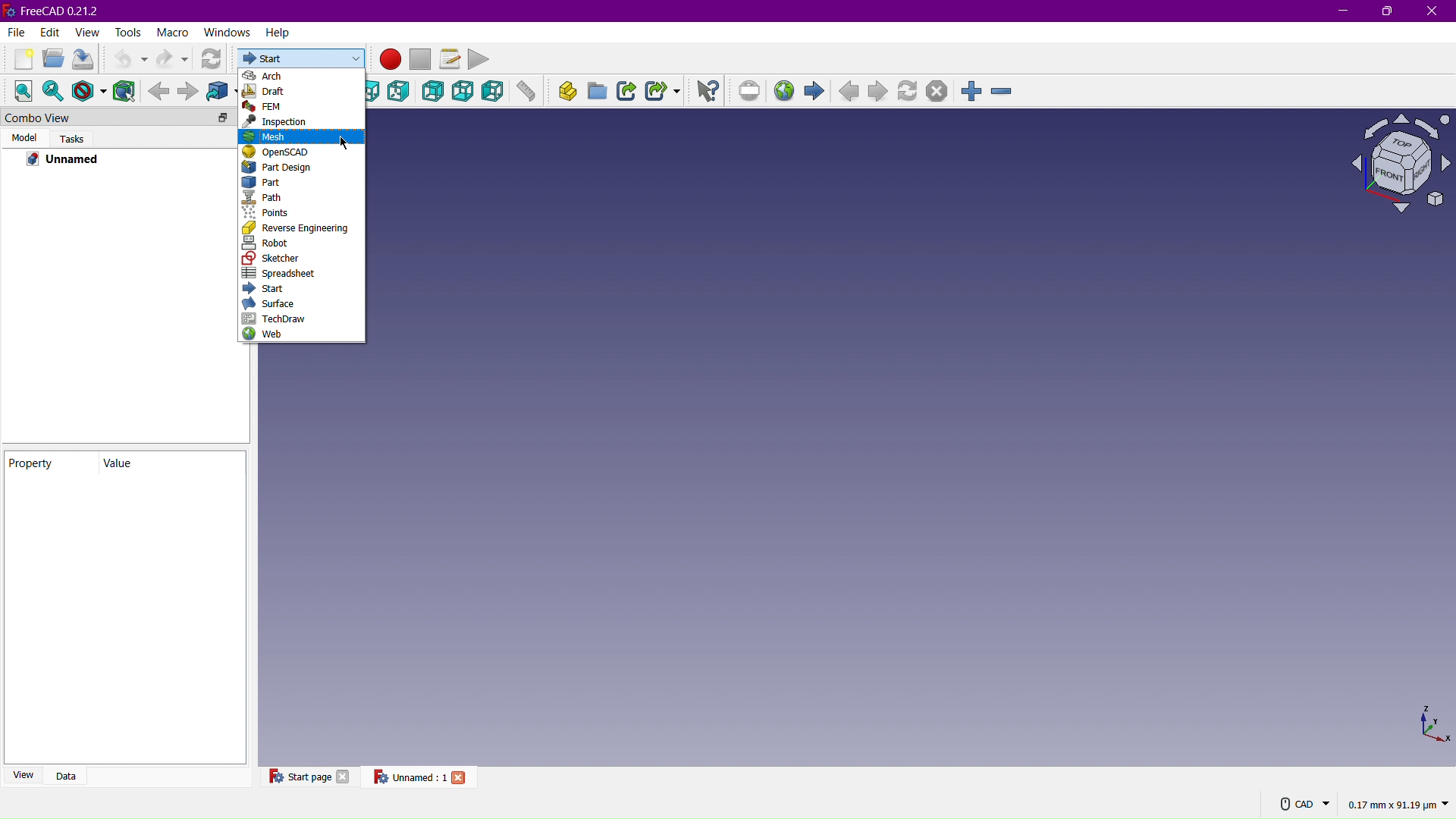 The image size is (1456, 819). I want to click on Record Macro, so click(391, 60).